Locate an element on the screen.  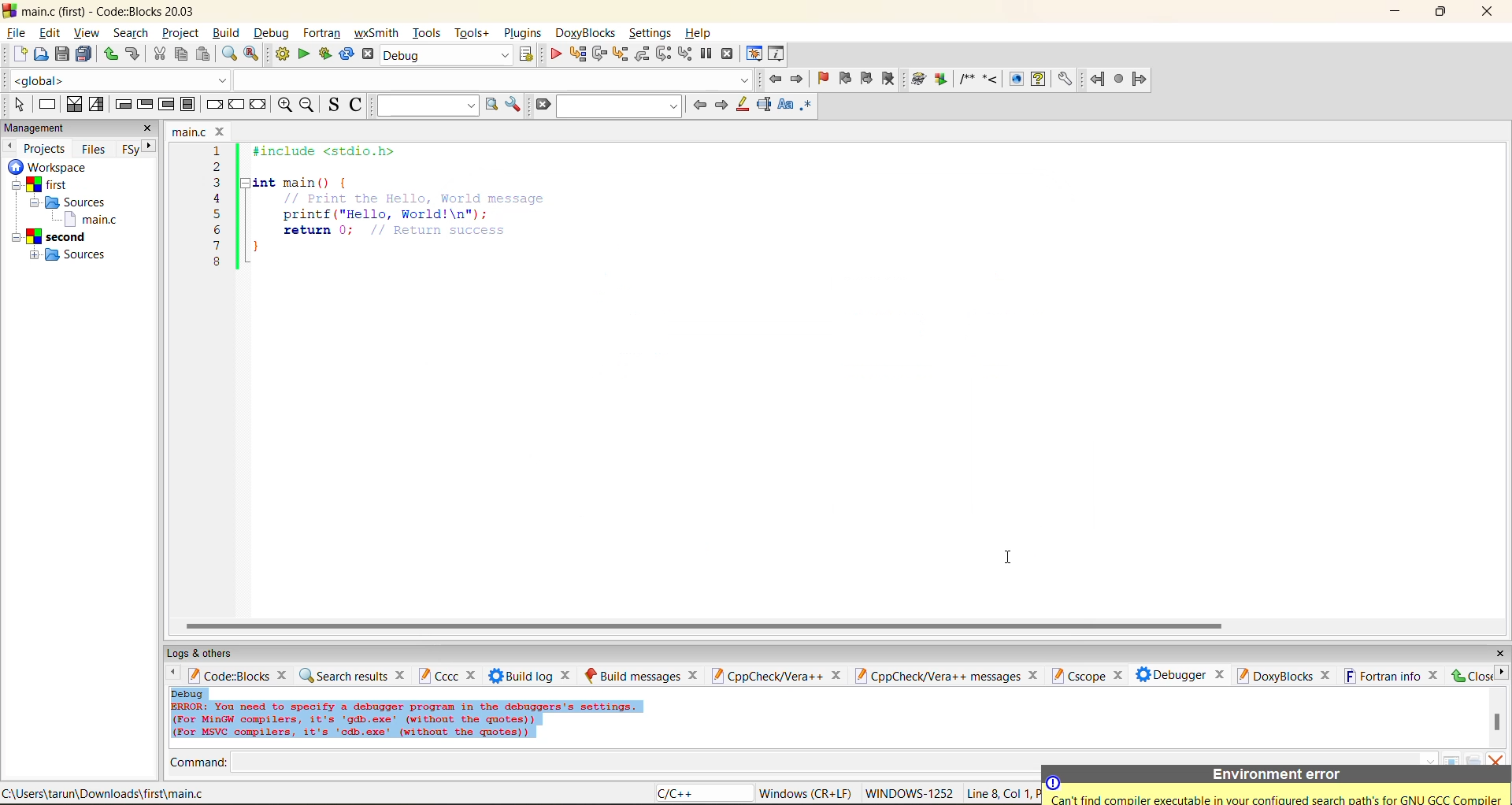
Run is located at coordinates (941, 79).